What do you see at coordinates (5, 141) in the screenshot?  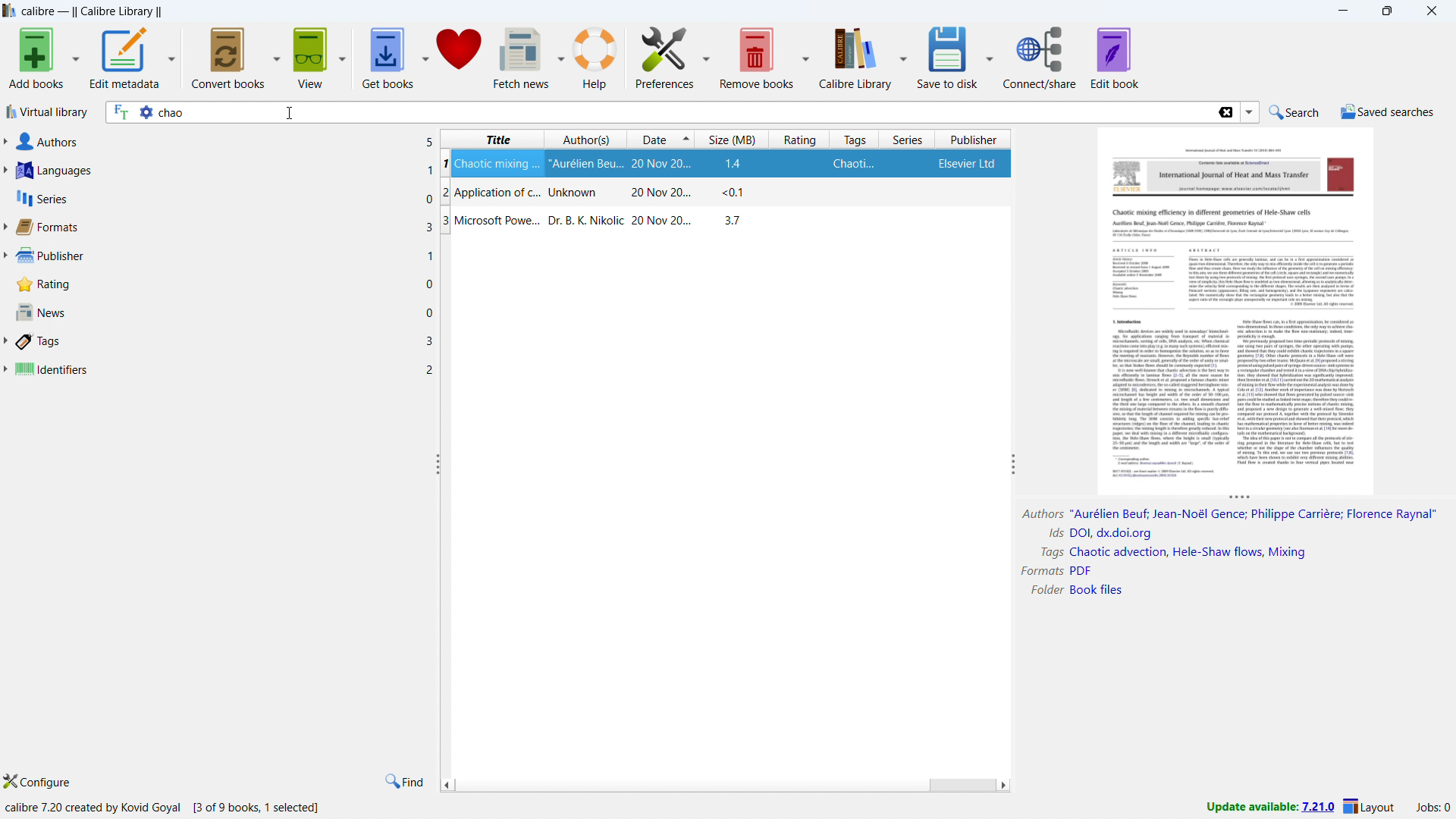 I see `expand authors` at bounding box center [5, 141].